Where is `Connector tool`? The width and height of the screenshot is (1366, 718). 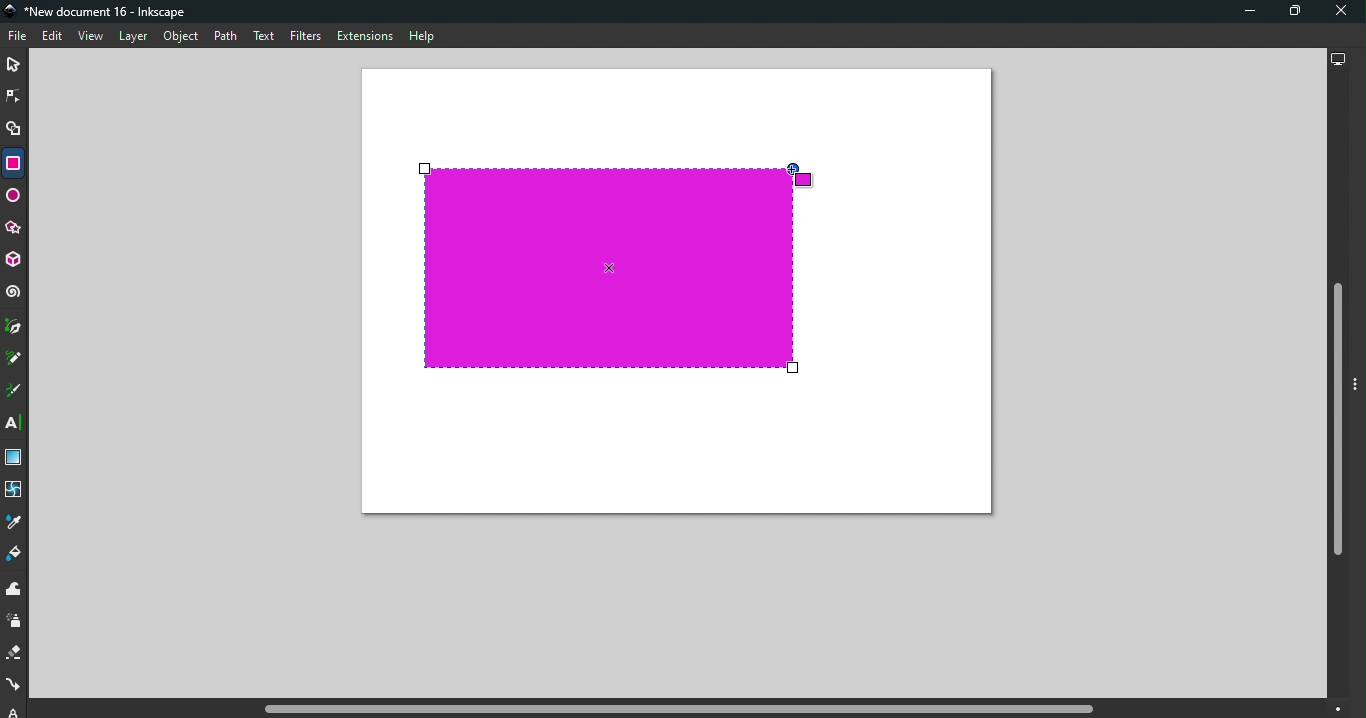
Connector tool is located at coordinates (14, 686).